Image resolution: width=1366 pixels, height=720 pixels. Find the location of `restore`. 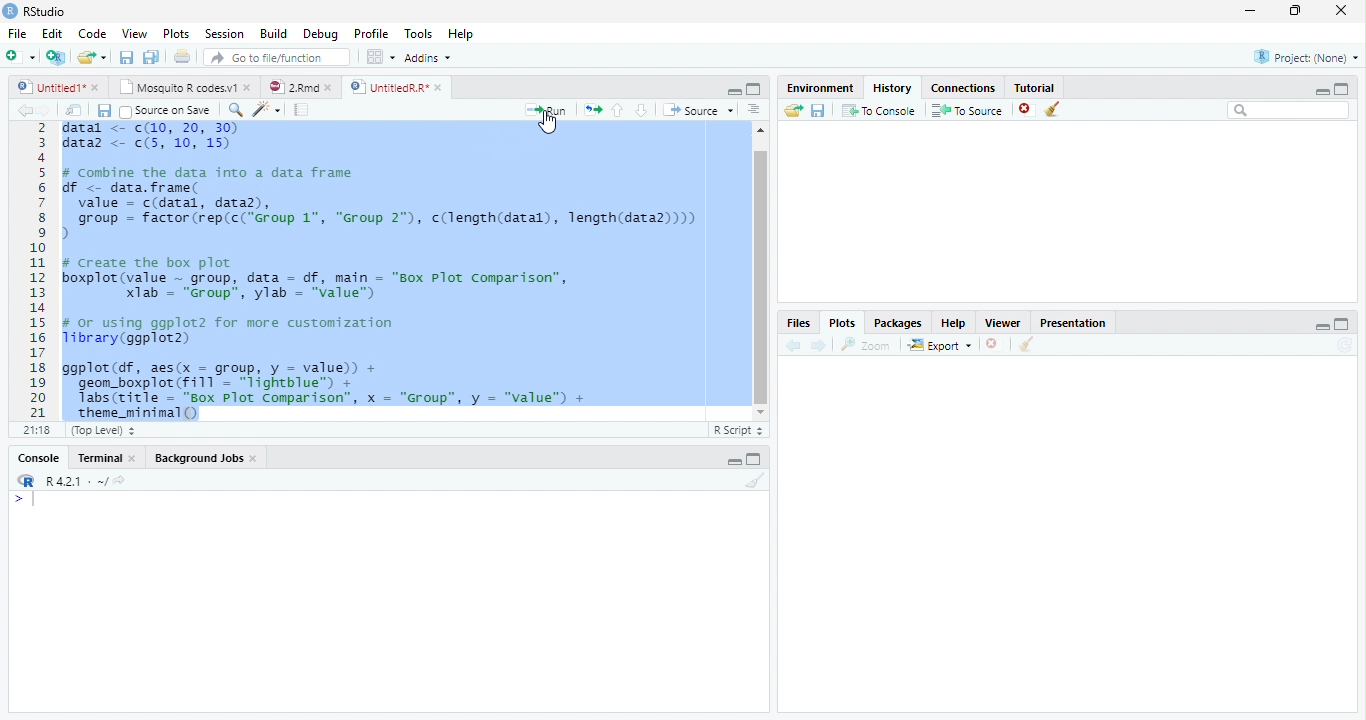

restore is located at coordinates (1295, 11).